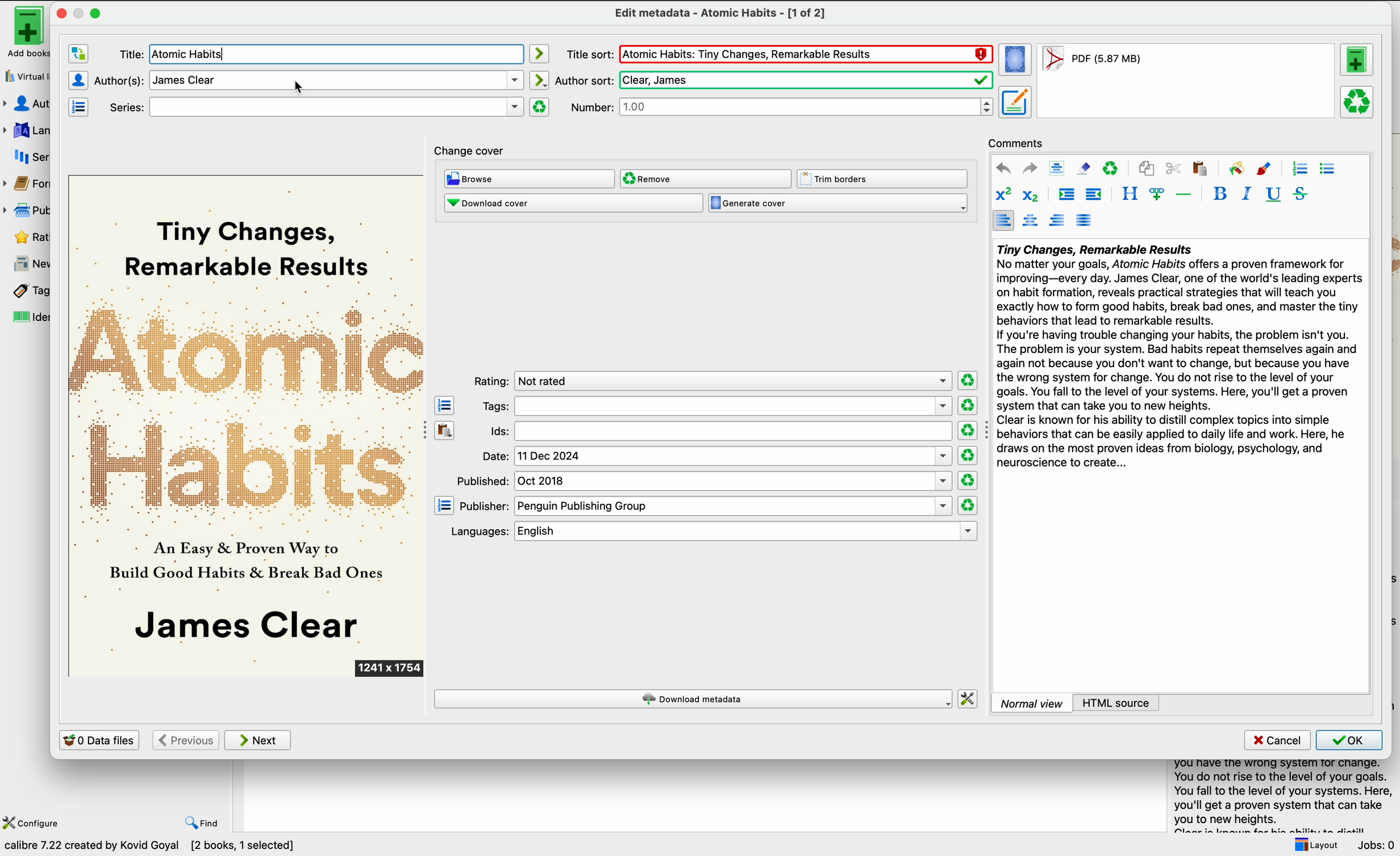 This screenshot has height=856, width=1400. I want to click on HTML source, so click(1116, 703).